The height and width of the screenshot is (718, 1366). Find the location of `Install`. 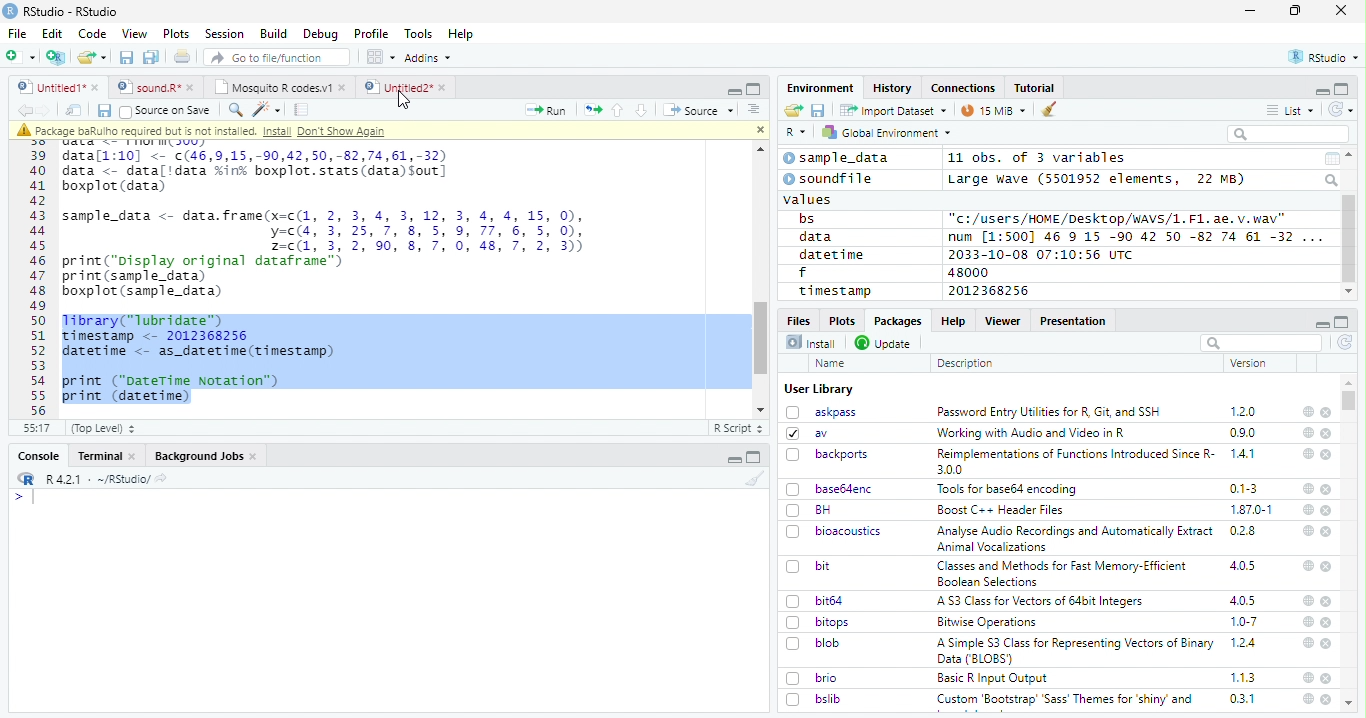

Install is located at coordinates (811, 342).